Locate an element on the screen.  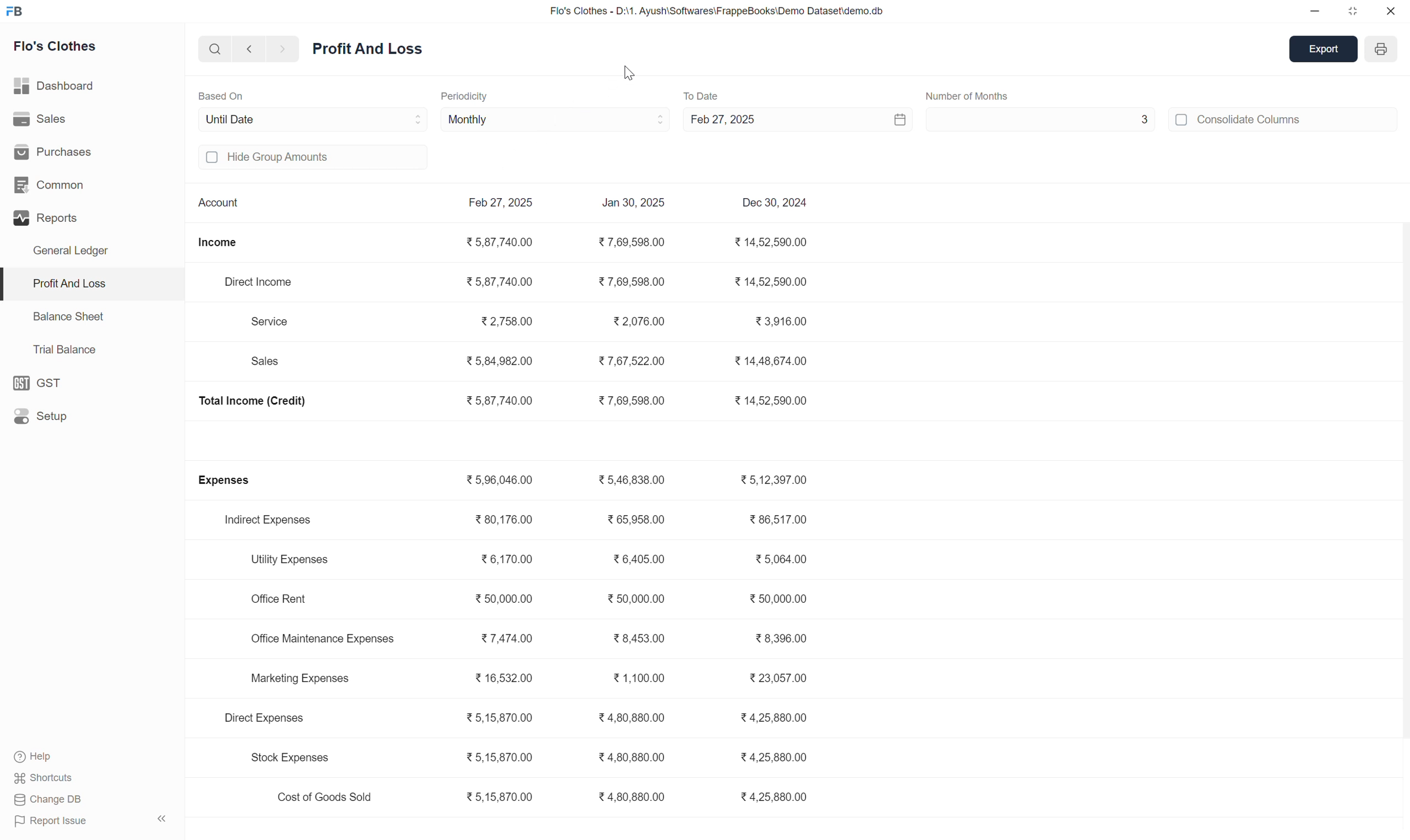
Utility Expenses is located at coordinates (291, 560).